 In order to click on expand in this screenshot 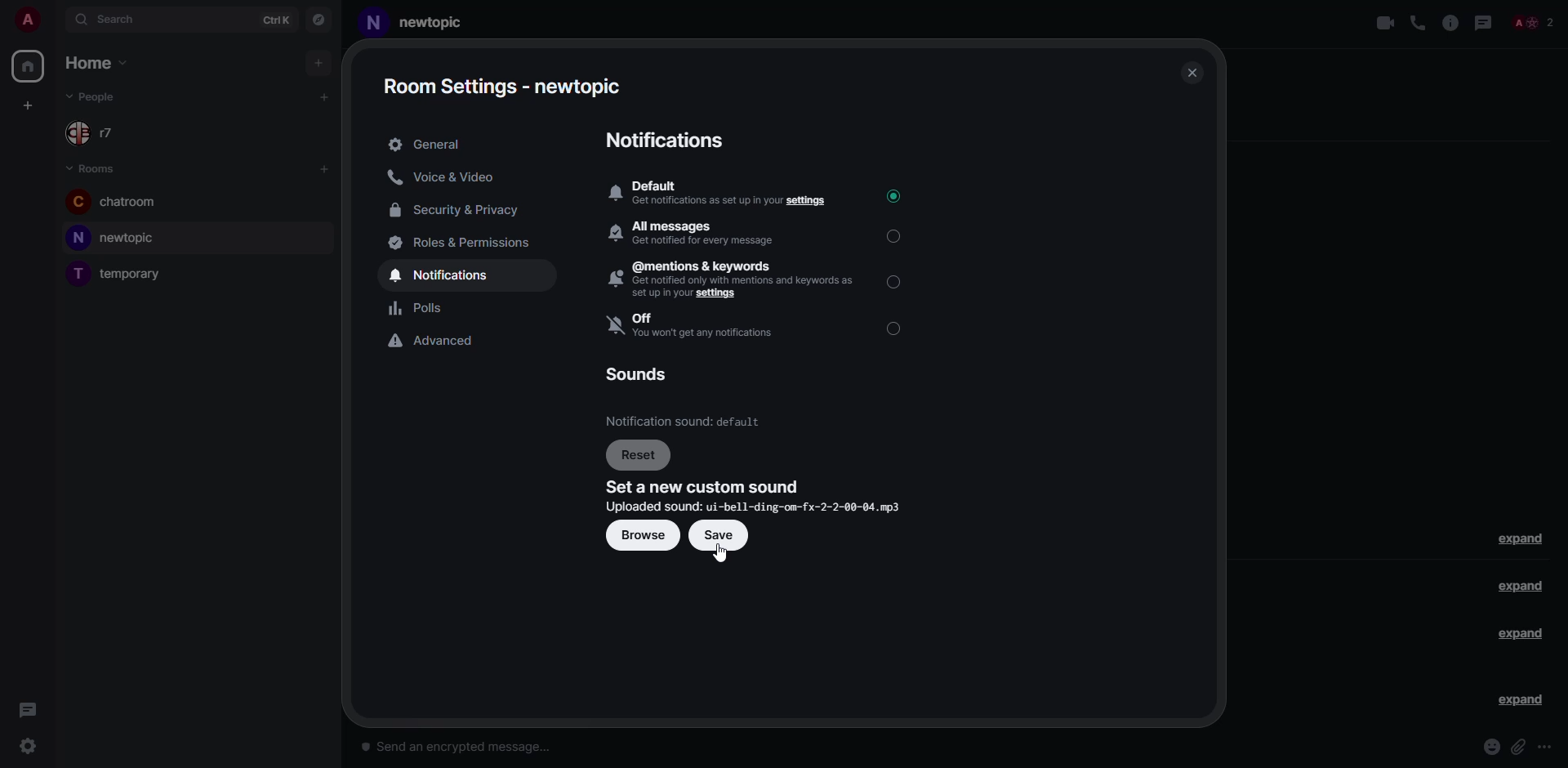, I will do `click(1522, 538)`.